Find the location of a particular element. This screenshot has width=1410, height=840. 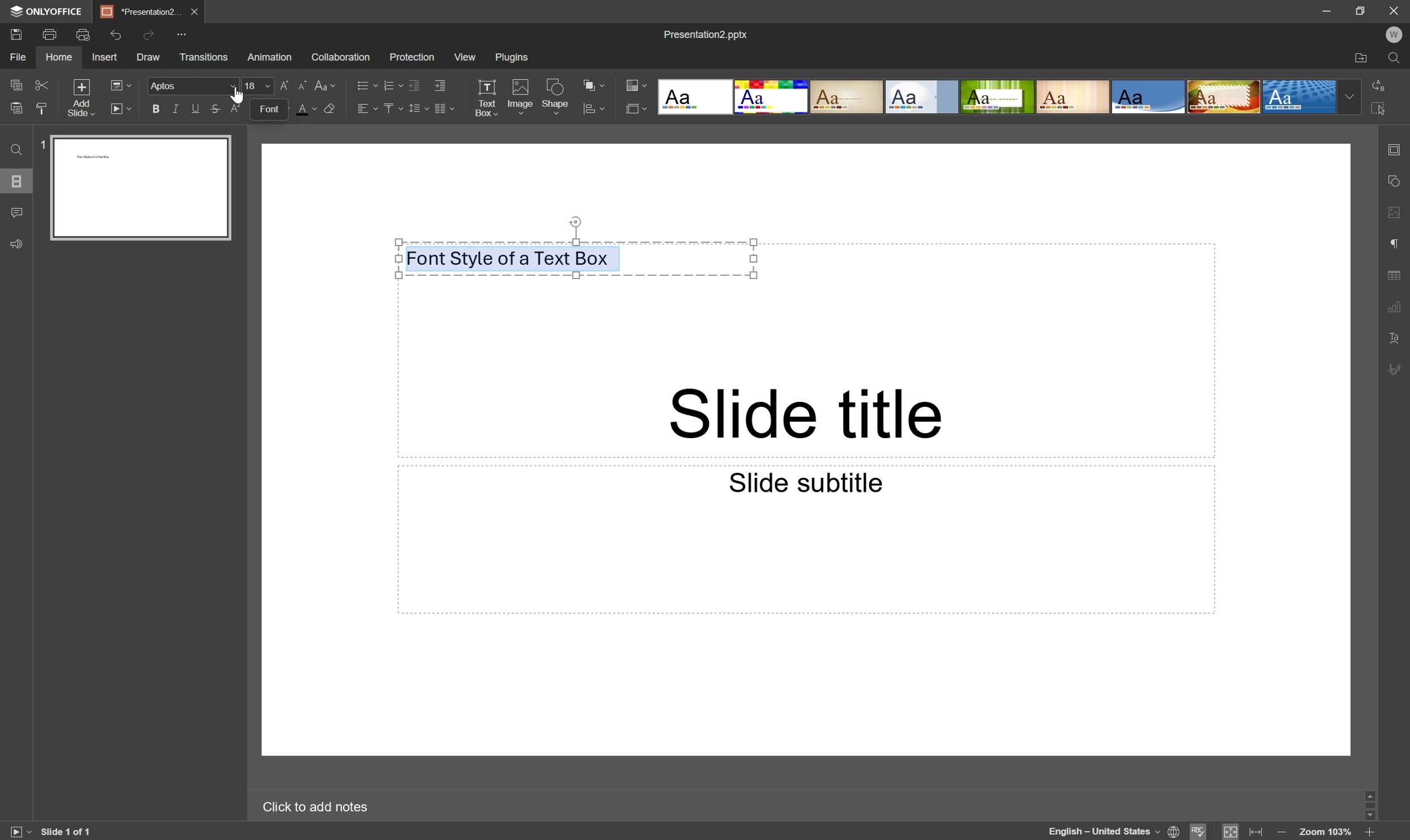

Zoom in is located at coordinates (1374, 833).